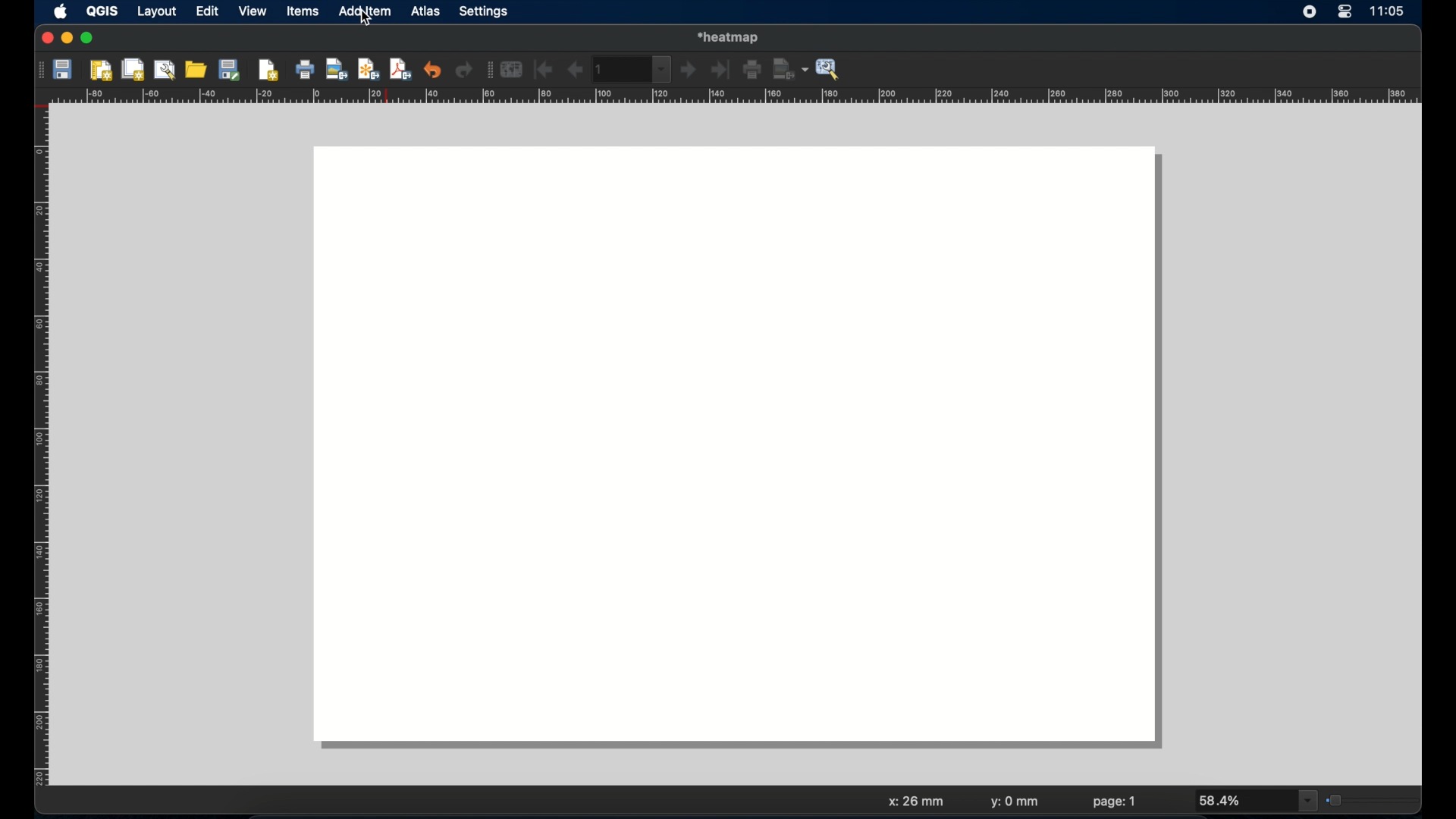  I want to click on blank layout, so click(744, 450).